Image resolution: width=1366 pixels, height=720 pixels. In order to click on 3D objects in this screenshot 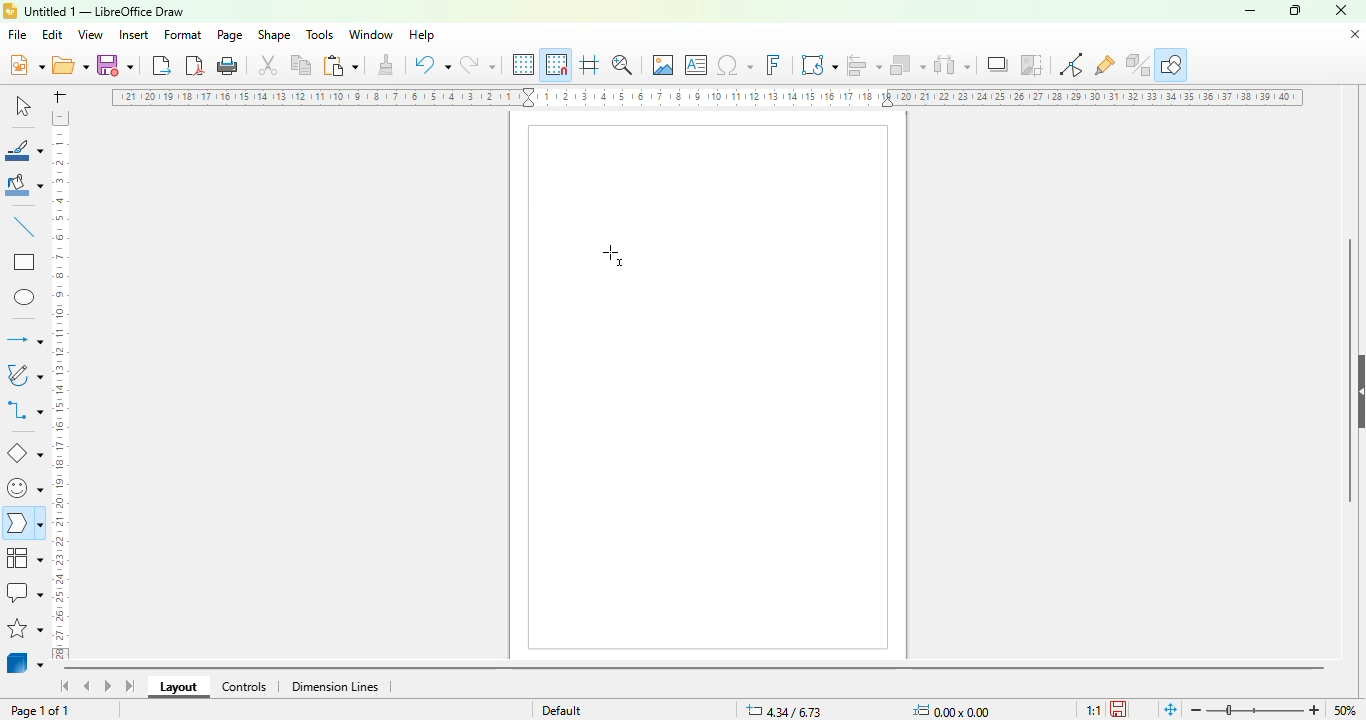, I will do `click(25, 661)`.